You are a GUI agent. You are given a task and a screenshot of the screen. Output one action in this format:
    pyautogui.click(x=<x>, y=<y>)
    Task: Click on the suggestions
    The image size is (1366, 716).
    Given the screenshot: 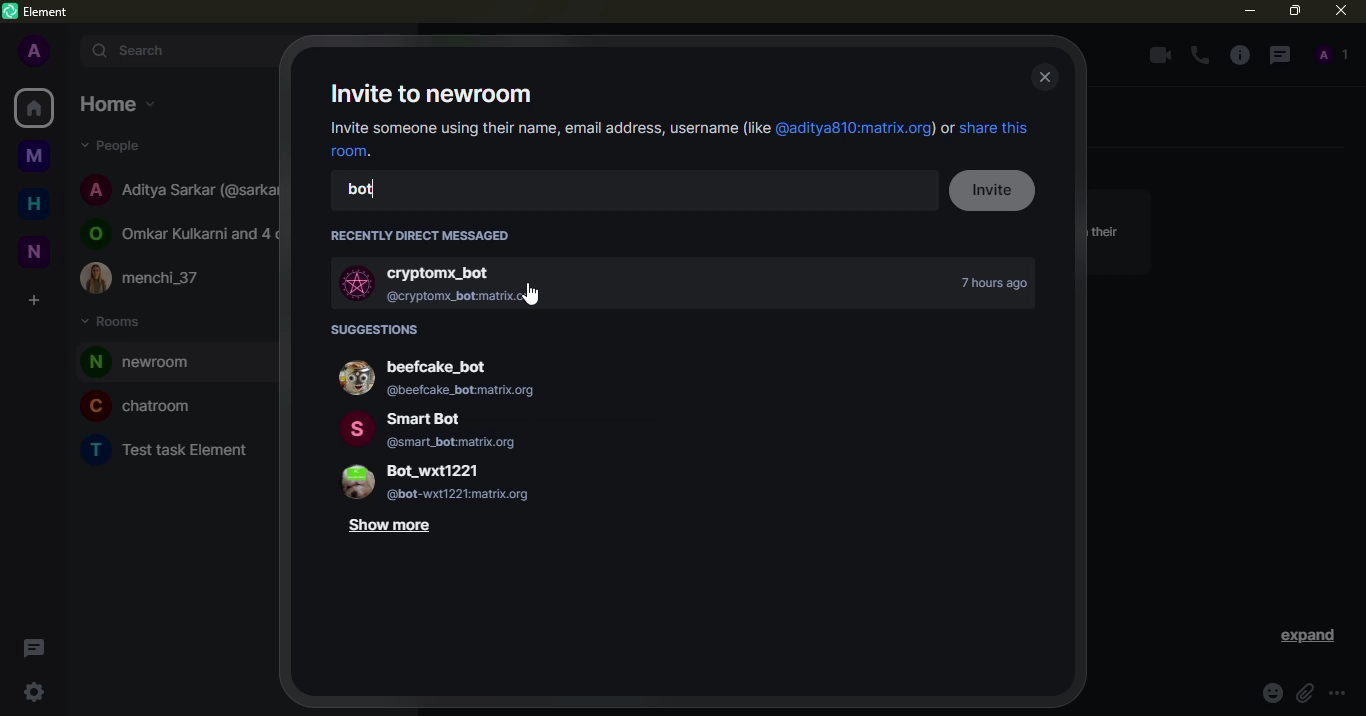 What is the action you would take?
    pyautogui.click(x=371, y=330)
    